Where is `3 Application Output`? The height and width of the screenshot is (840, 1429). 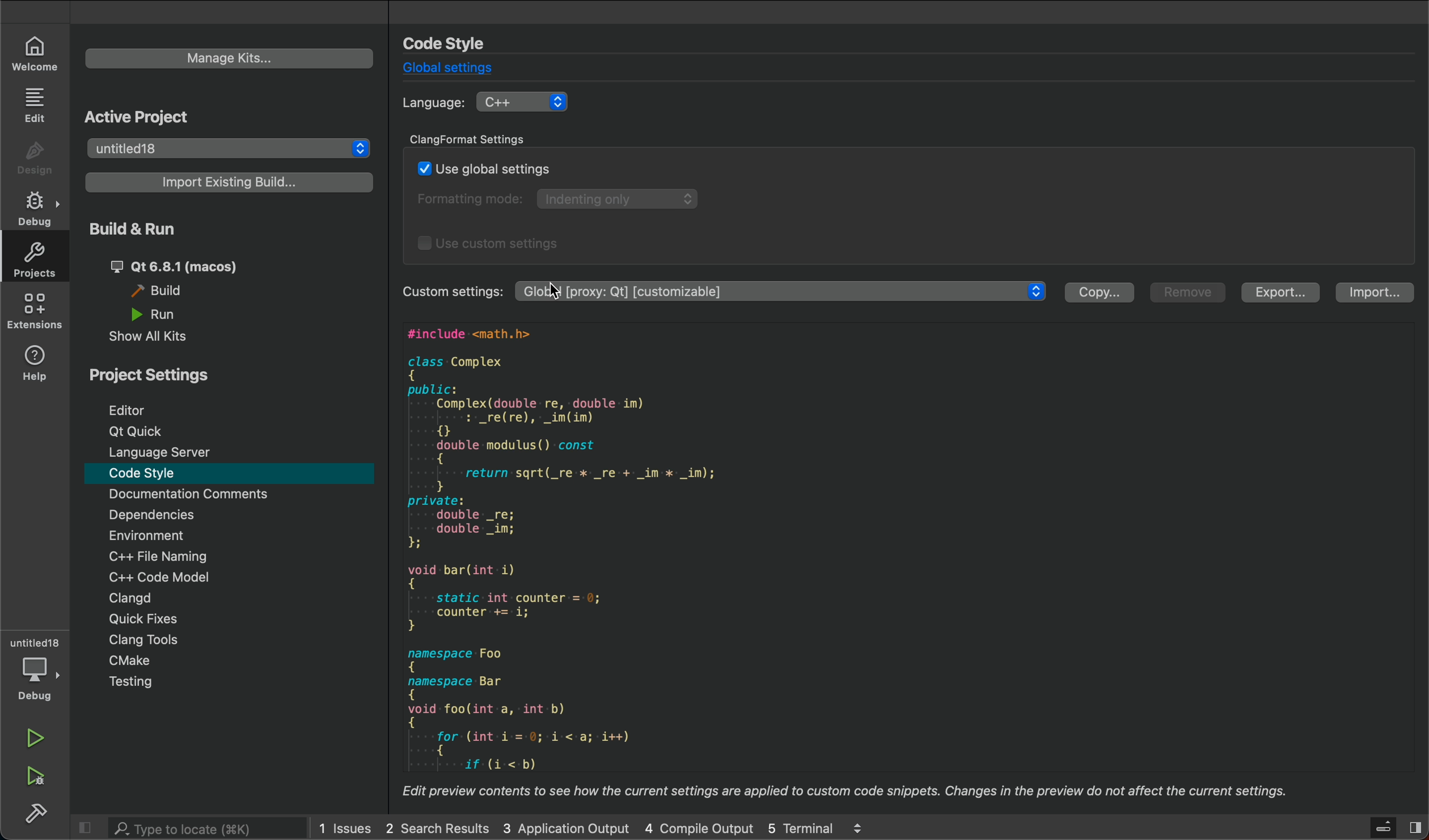 3 Application Output is located at coordinates (564, 826).